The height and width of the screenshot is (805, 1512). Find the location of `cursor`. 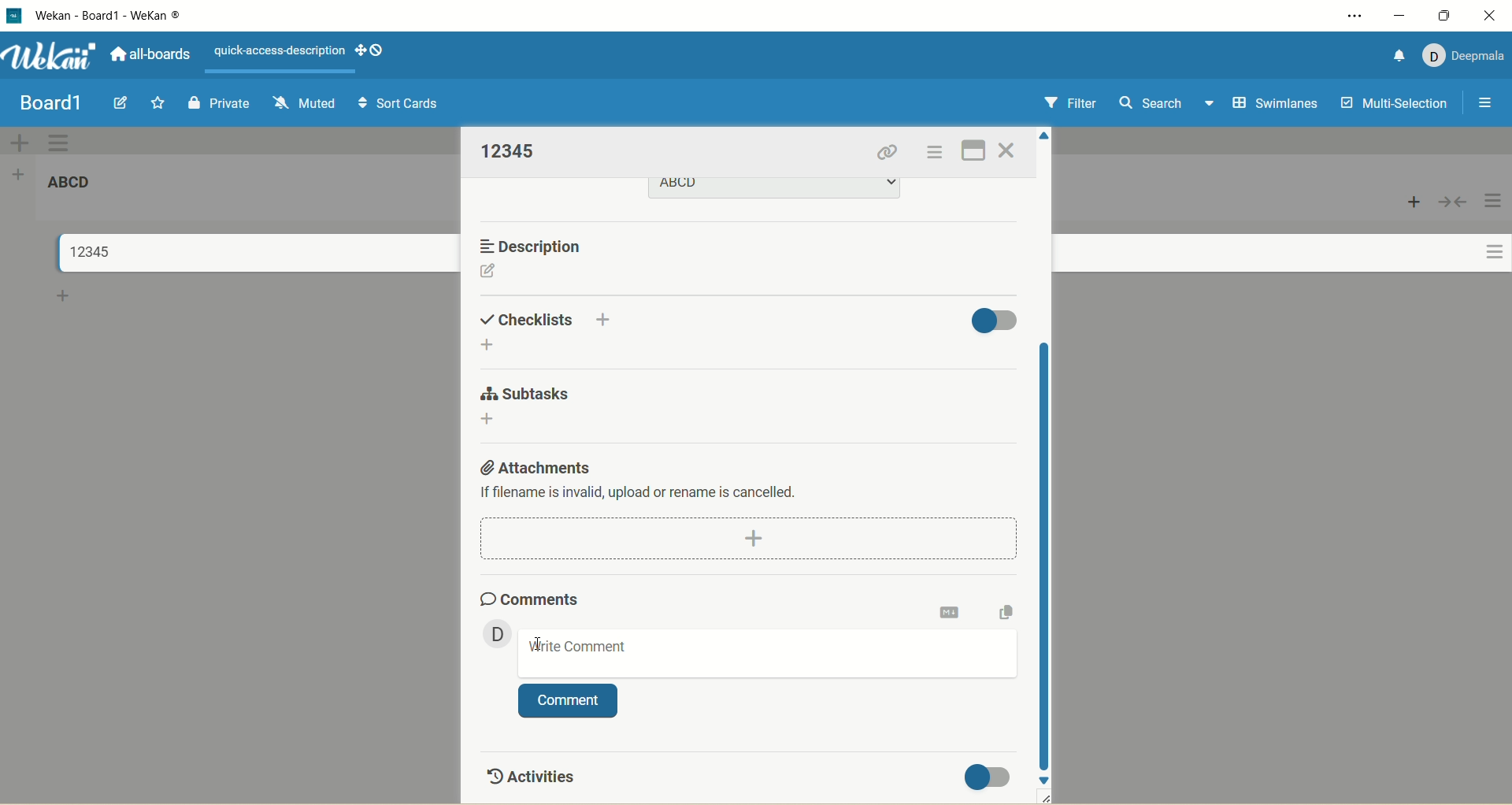

cursor is located at coordinates (541, 644).